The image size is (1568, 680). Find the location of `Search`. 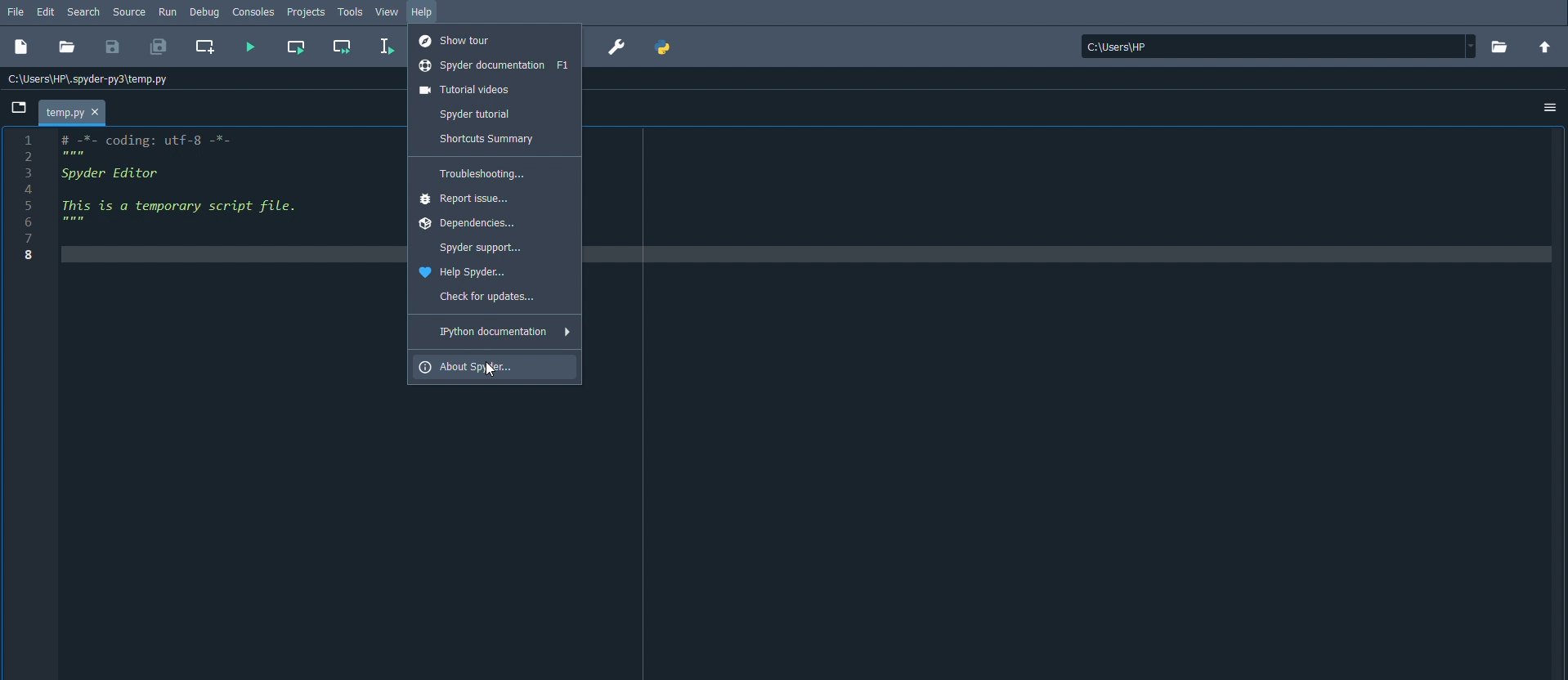

Search is located at coordinates (84, 11).